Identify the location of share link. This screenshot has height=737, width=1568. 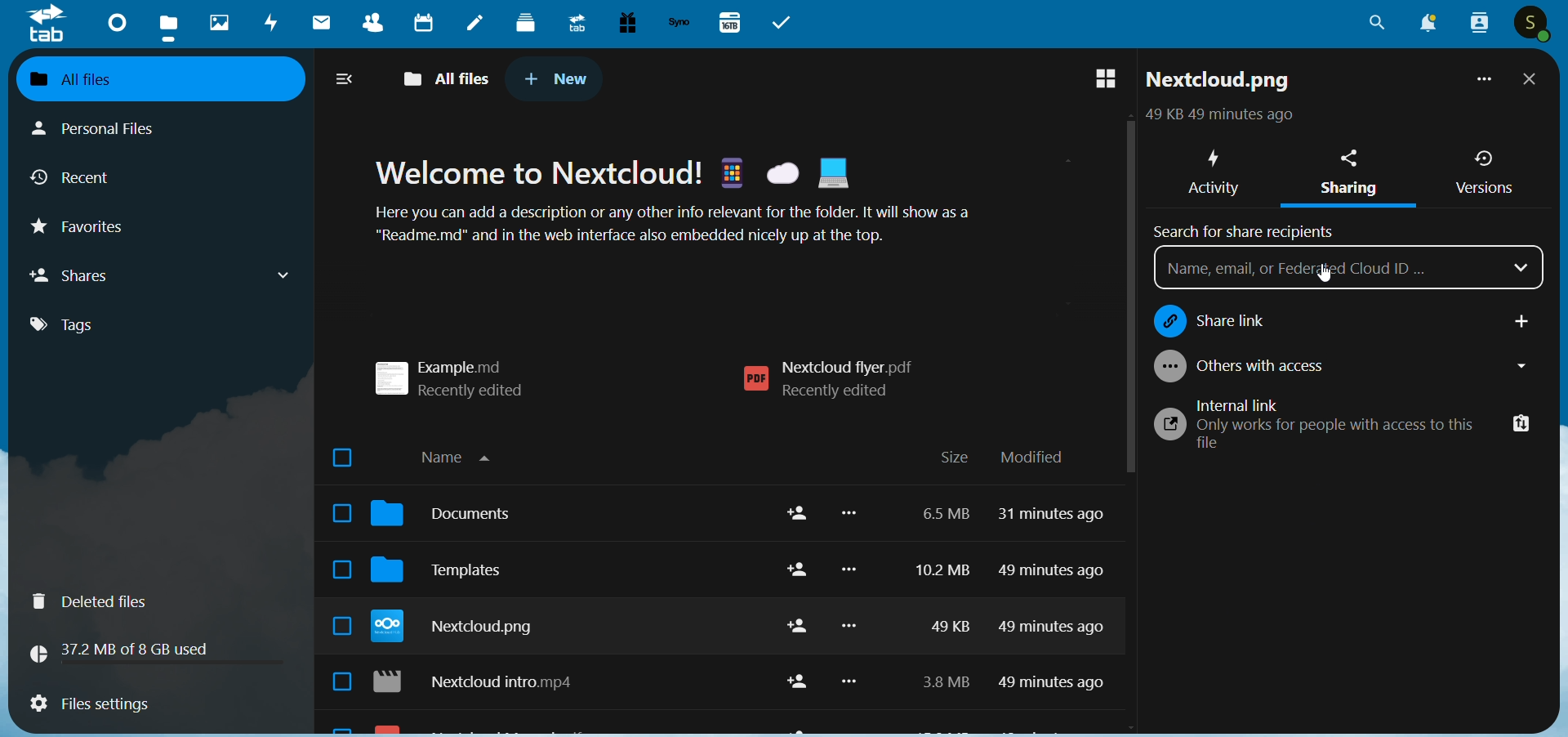
(1303, 319).